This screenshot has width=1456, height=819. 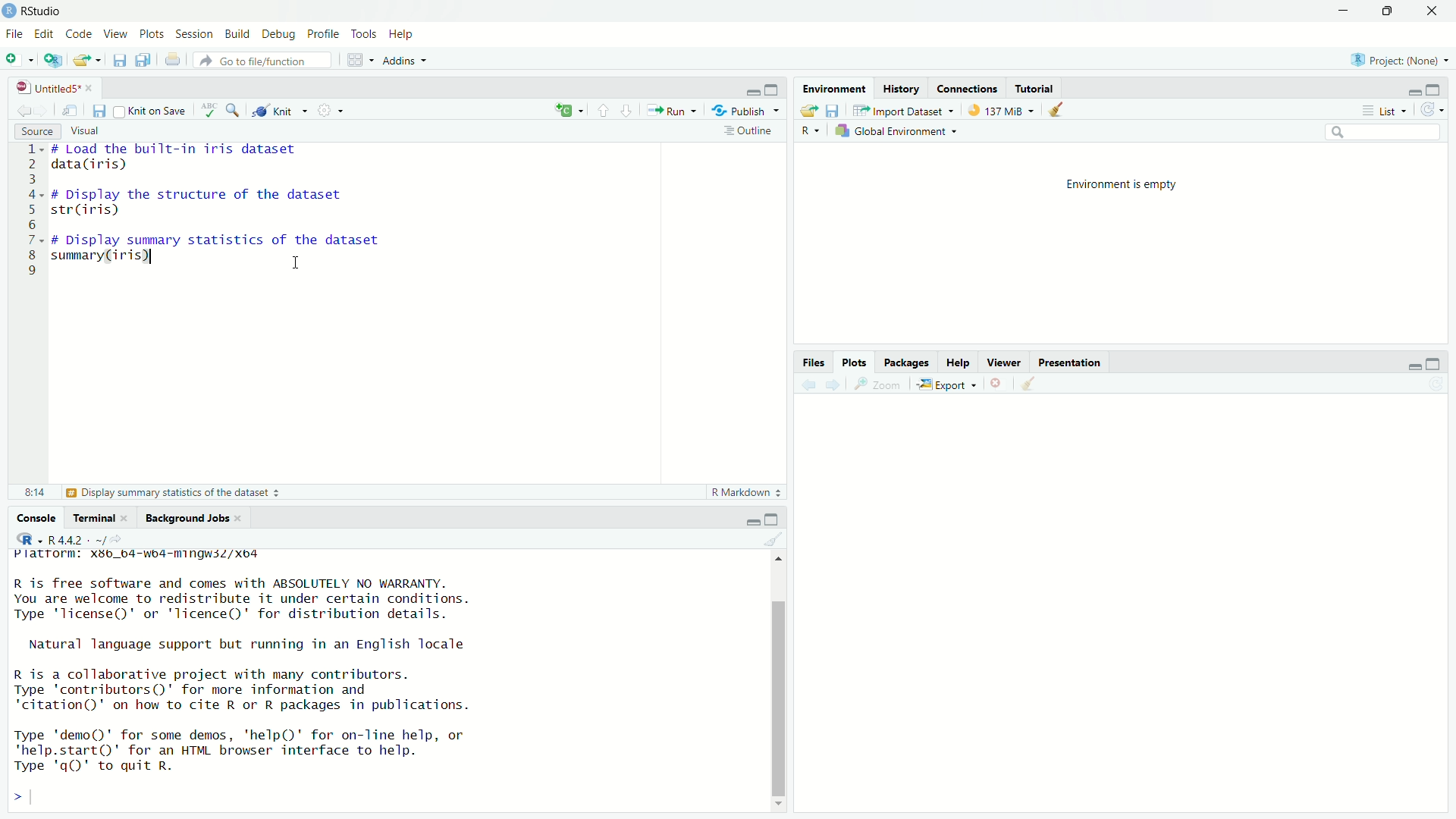 I want to click on Go to next section, so click(x=628, y=111).